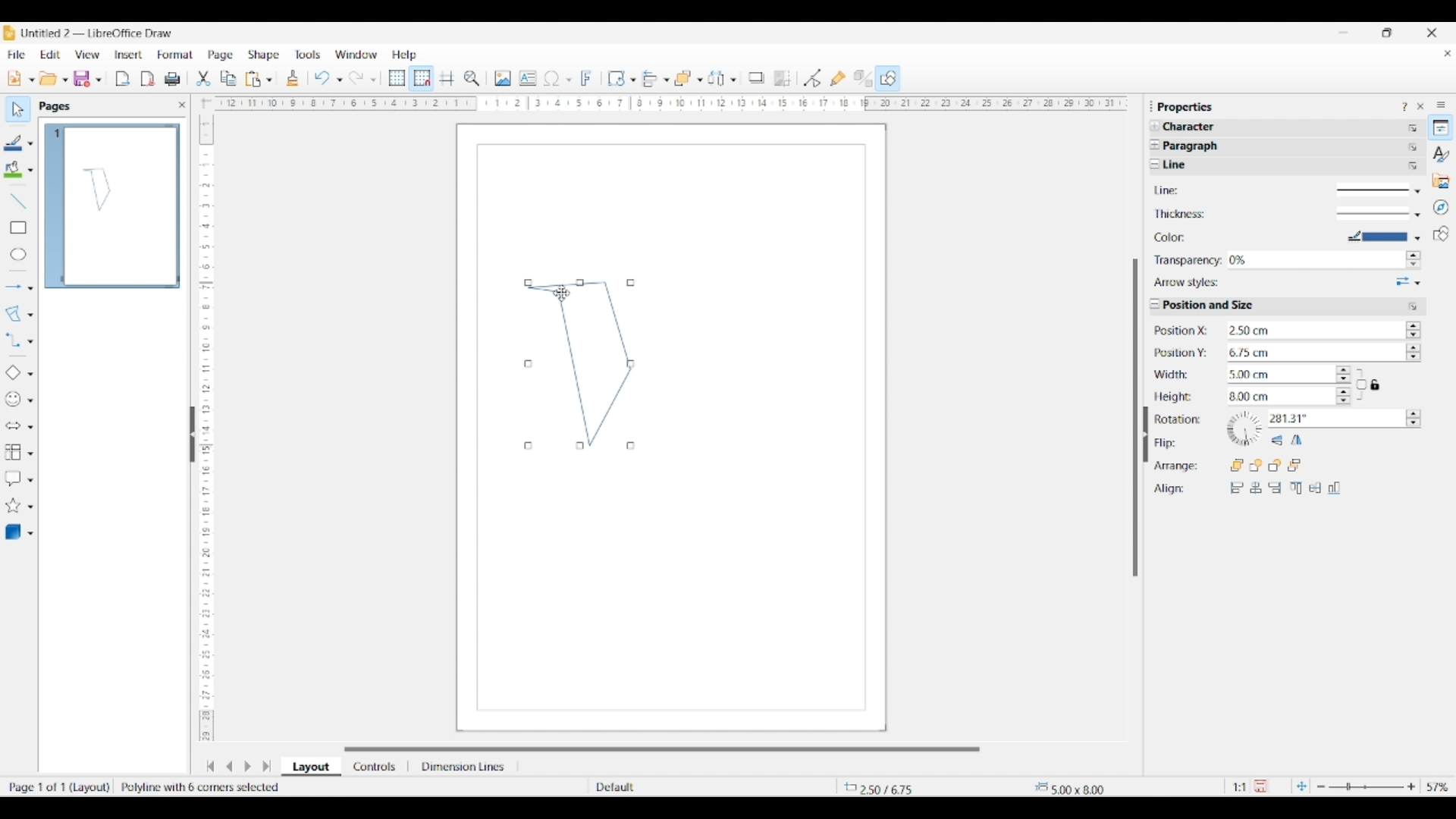  I want to click on Collapse line, so click(1155, 164).